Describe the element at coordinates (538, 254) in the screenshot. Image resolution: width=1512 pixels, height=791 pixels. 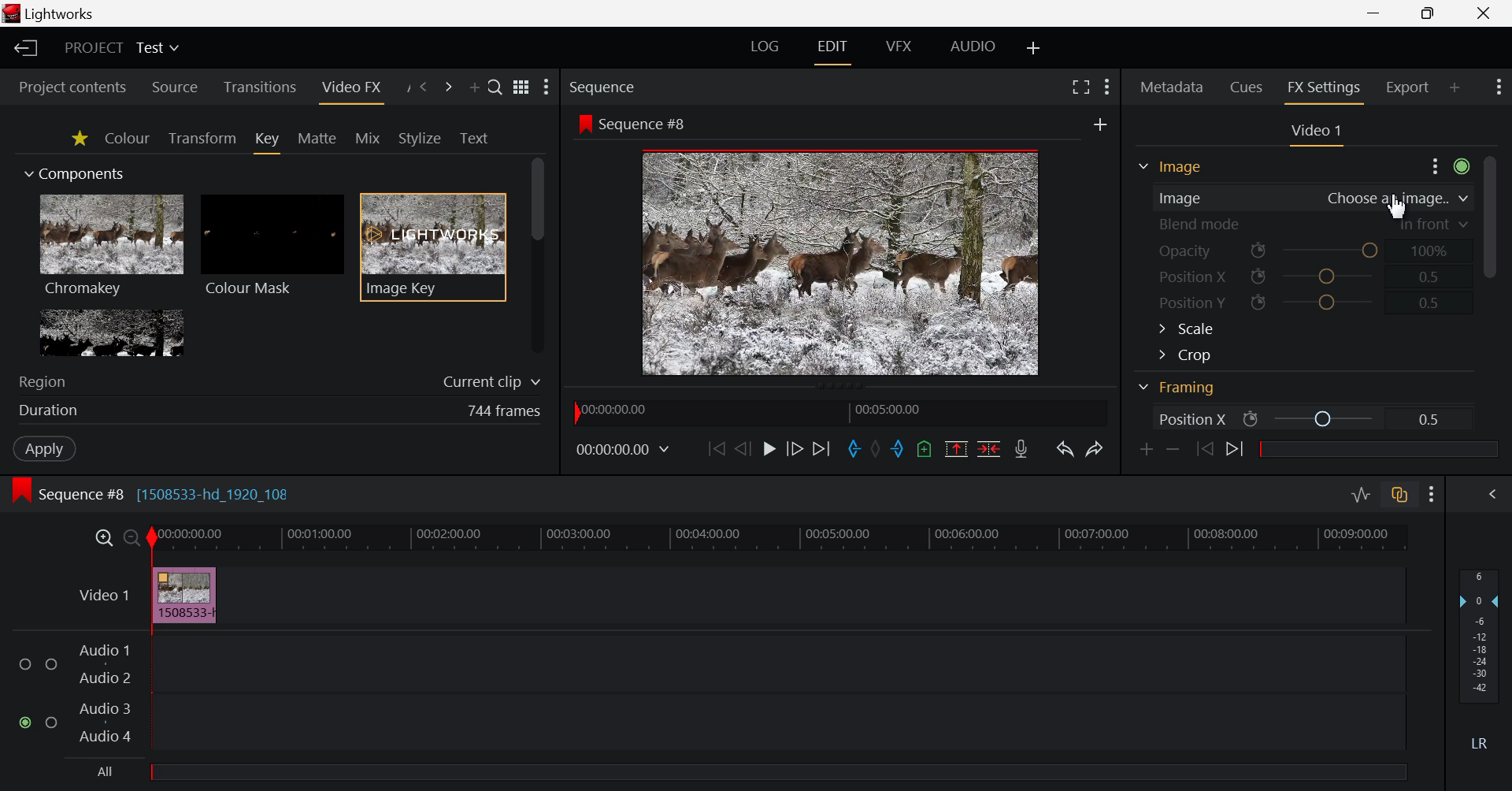
I see `Scroll Bar` at that location.